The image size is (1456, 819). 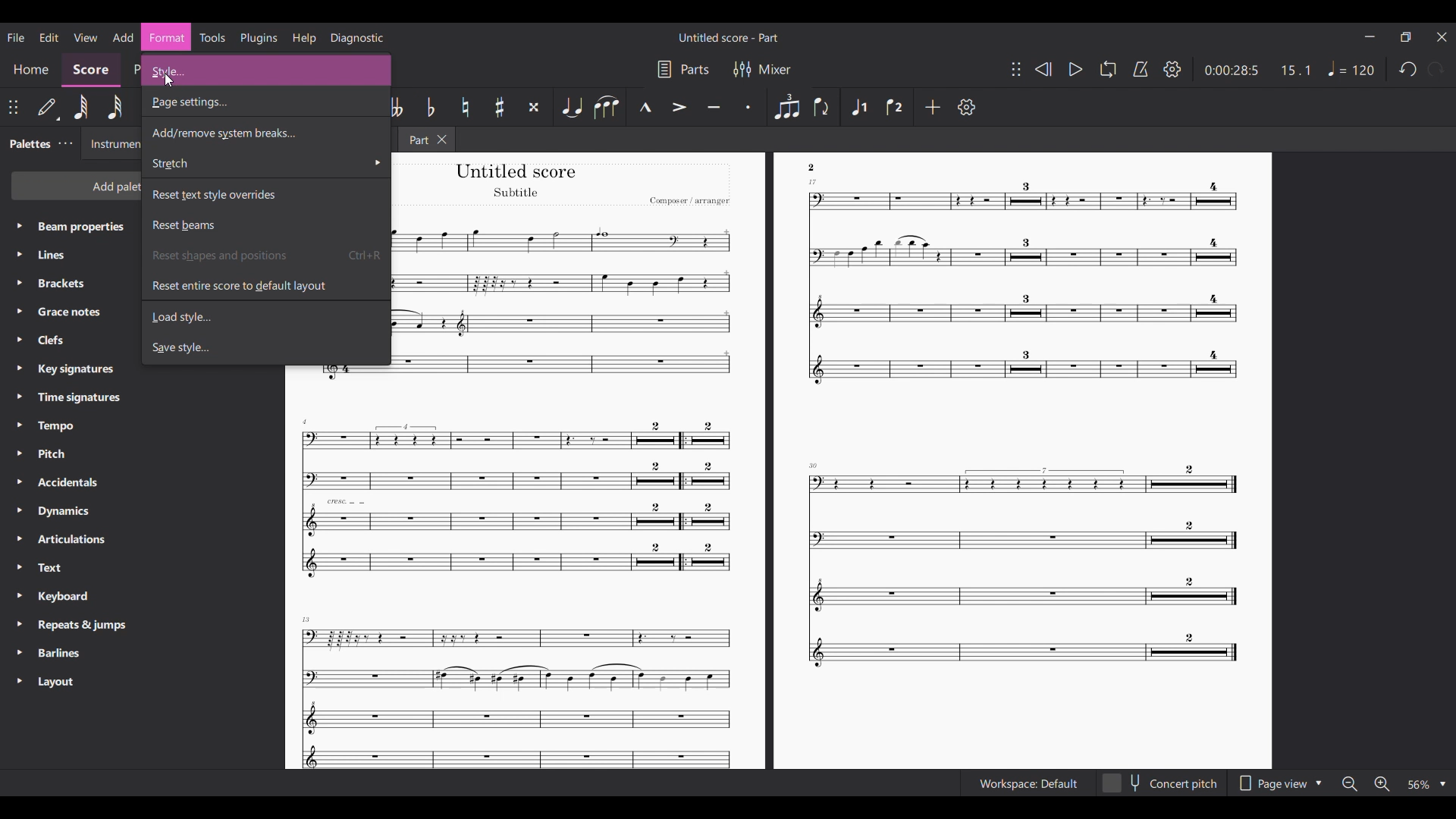 What do you see at coordinates (68, 482) in the screenshot?
I see `Accidentals` at bounding box center [68, 482].